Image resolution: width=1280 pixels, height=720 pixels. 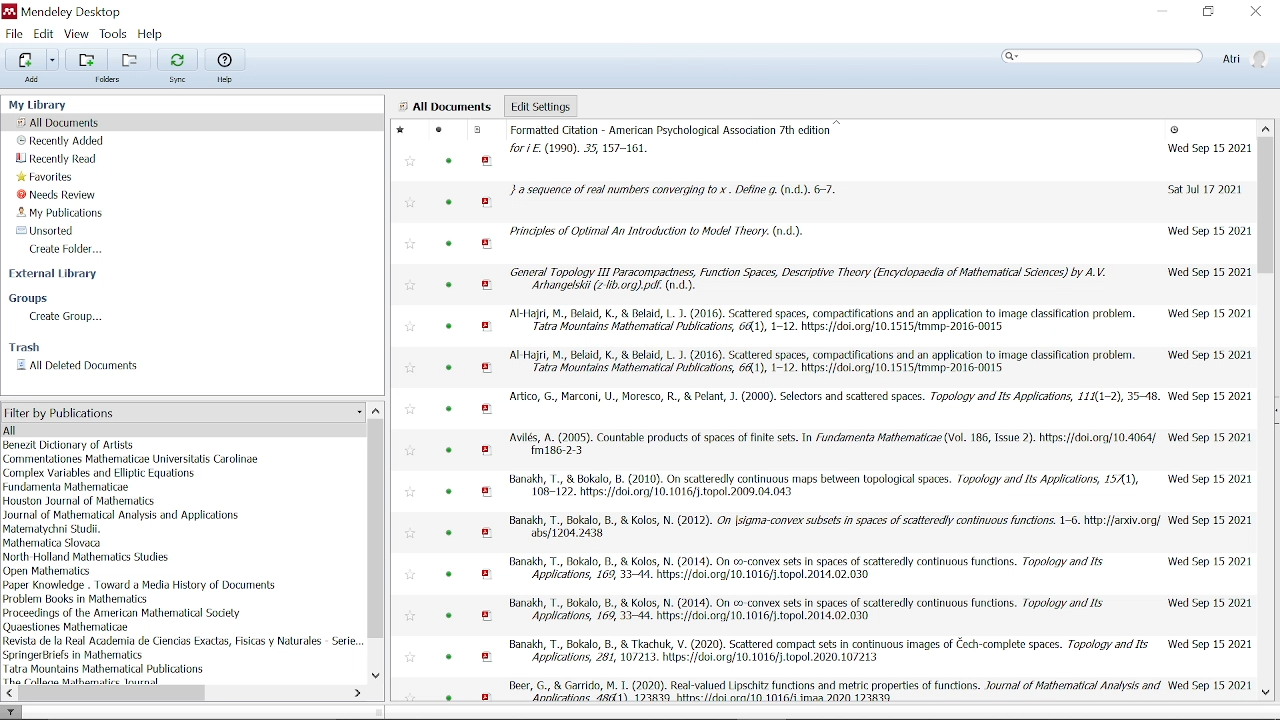 I want to click on favourite, so click(x=413, y=369).